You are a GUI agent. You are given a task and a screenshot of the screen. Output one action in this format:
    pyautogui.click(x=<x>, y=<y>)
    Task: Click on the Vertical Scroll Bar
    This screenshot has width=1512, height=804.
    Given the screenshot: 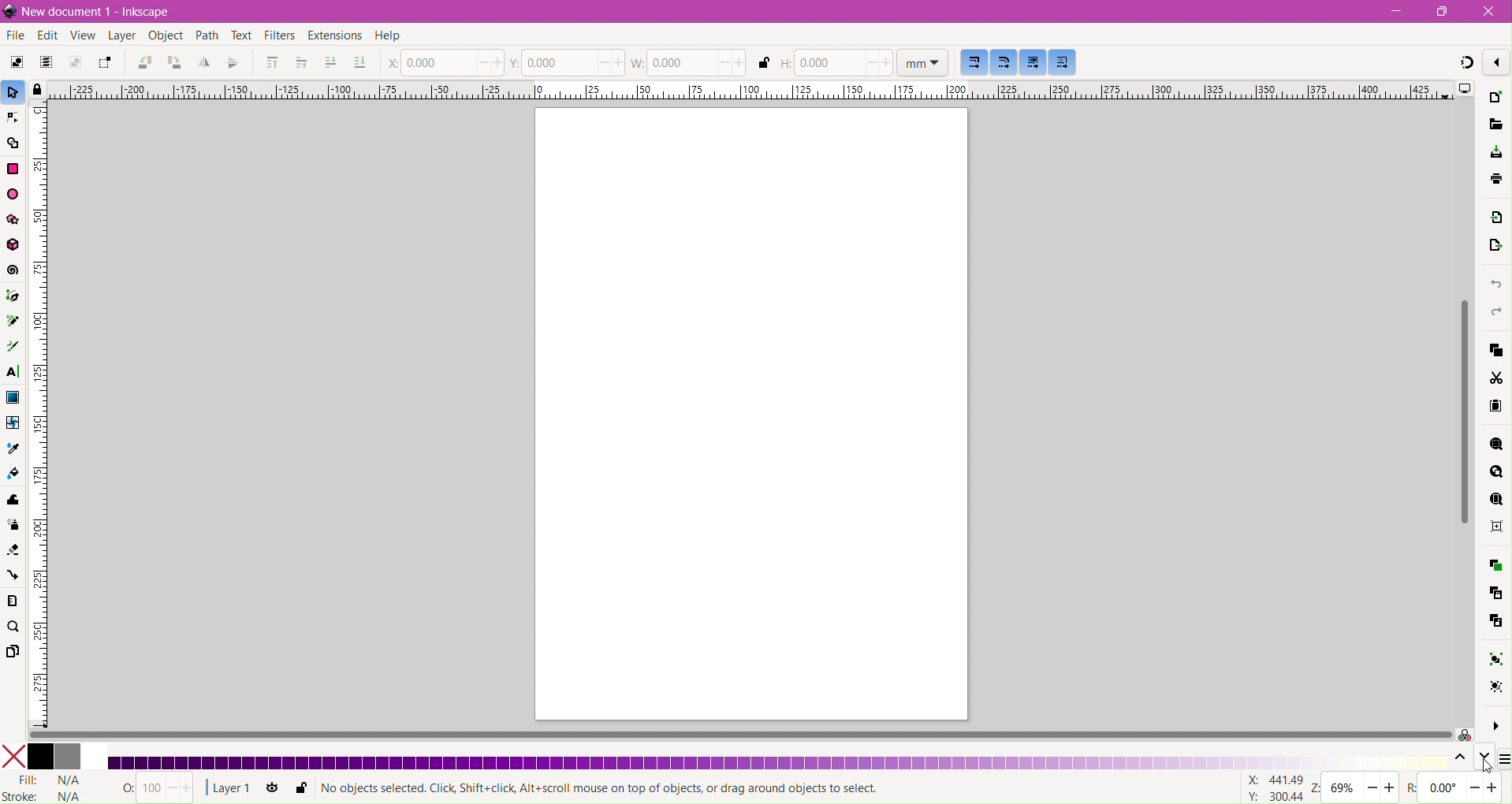 What is the action you would take?
    pyautogui.click(x=1461, y=411)
    